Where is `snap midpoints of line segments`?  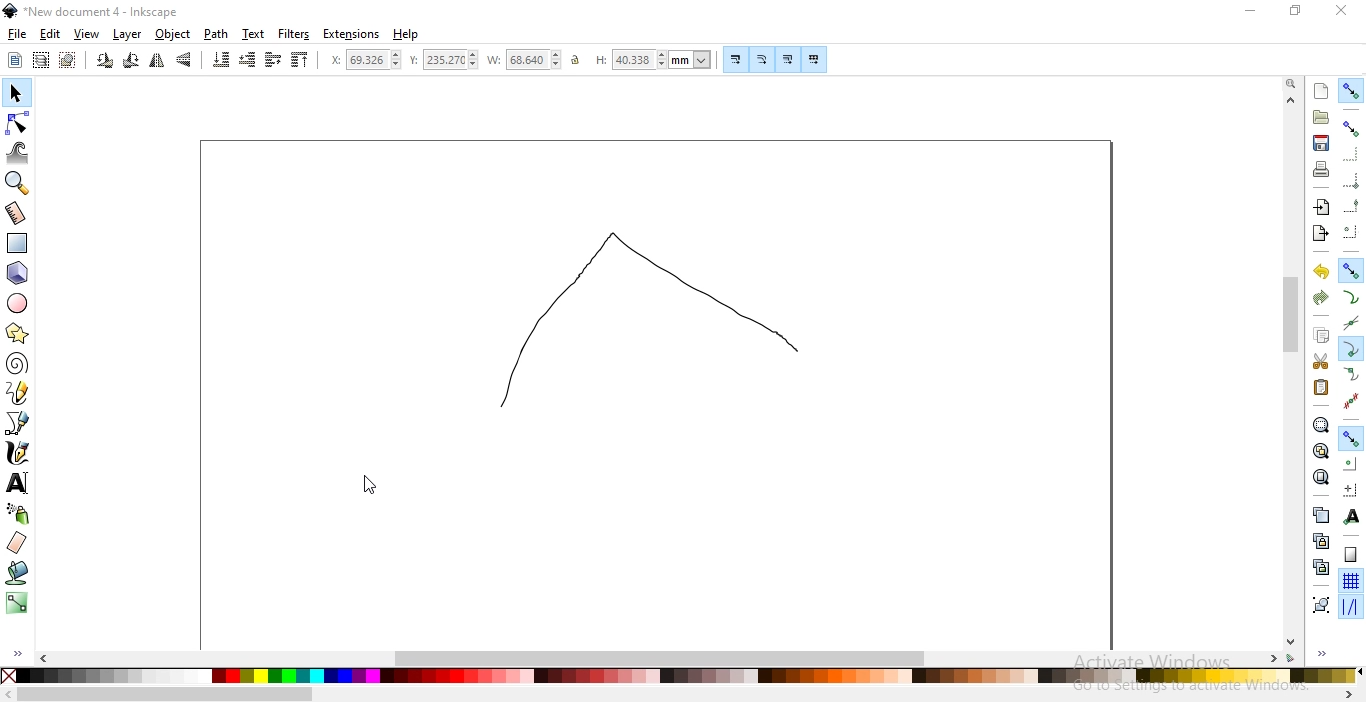 snap midpoints of line segments is located at coordinates (1352, 400).